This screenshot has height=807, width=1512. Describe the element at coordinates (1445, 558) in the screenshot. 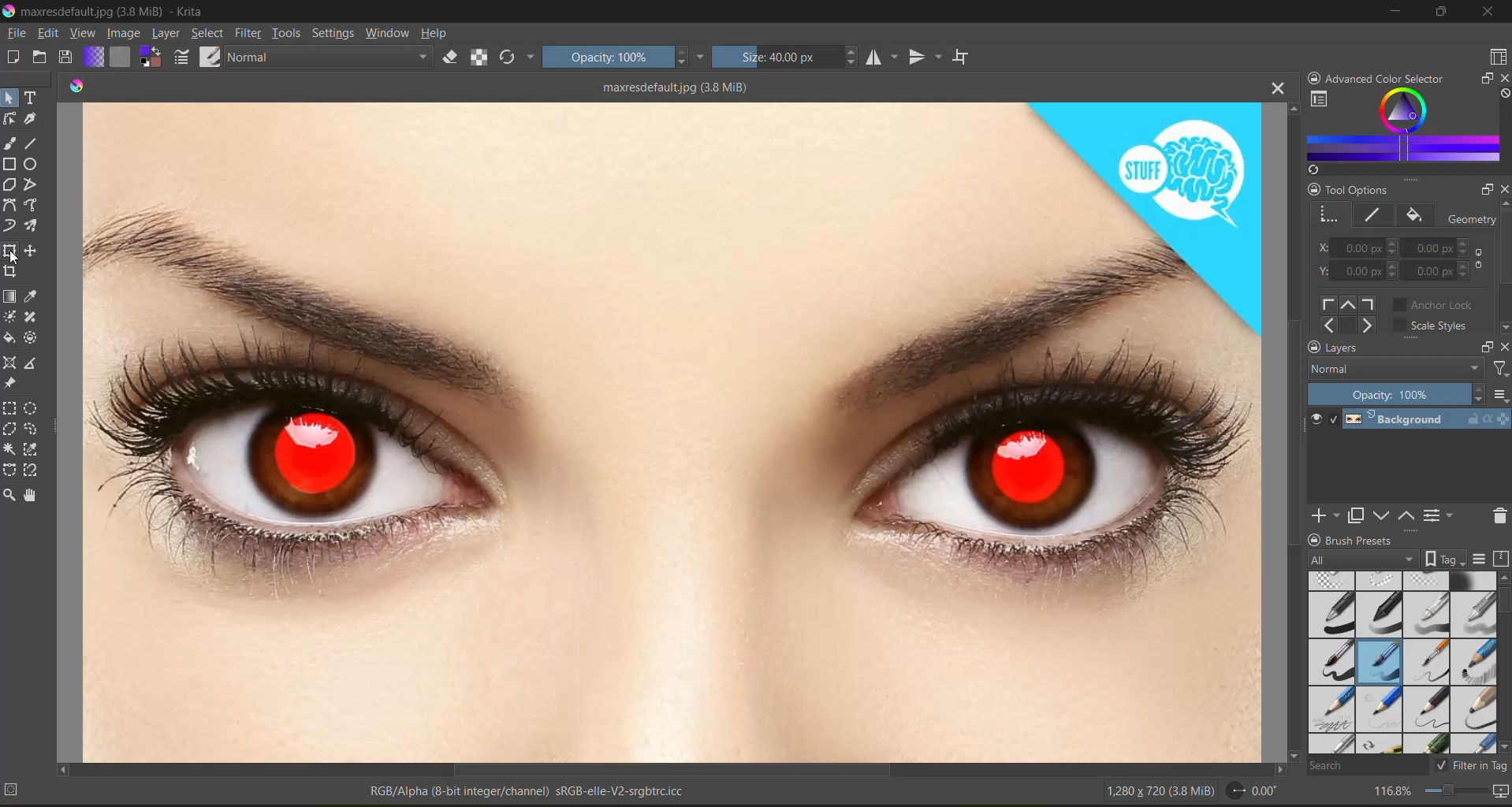

I see `show tag box` at that location.